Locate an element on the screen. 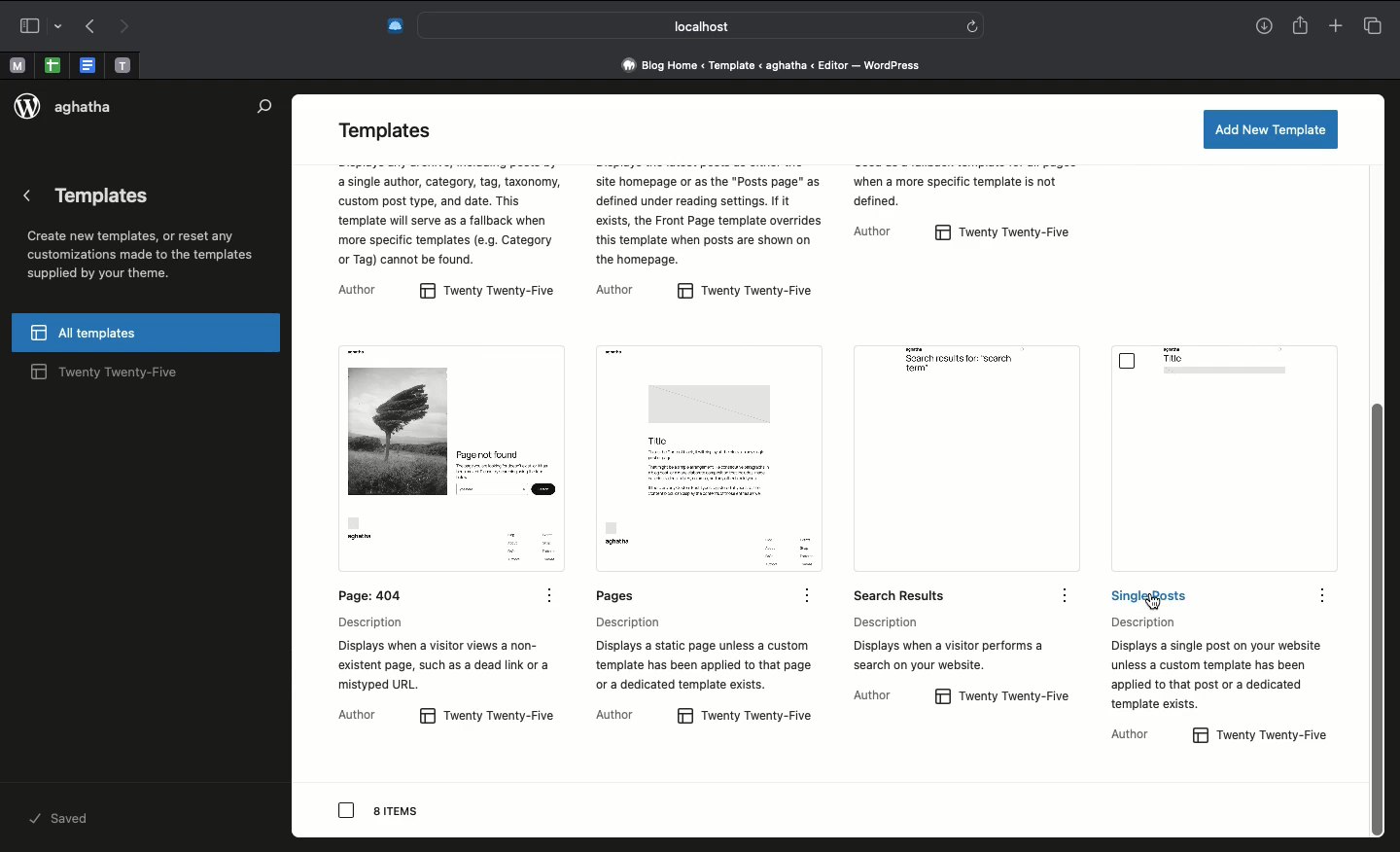 The height and width of the screenshot is (852, 1400). author is located at coordinates (622, 293).